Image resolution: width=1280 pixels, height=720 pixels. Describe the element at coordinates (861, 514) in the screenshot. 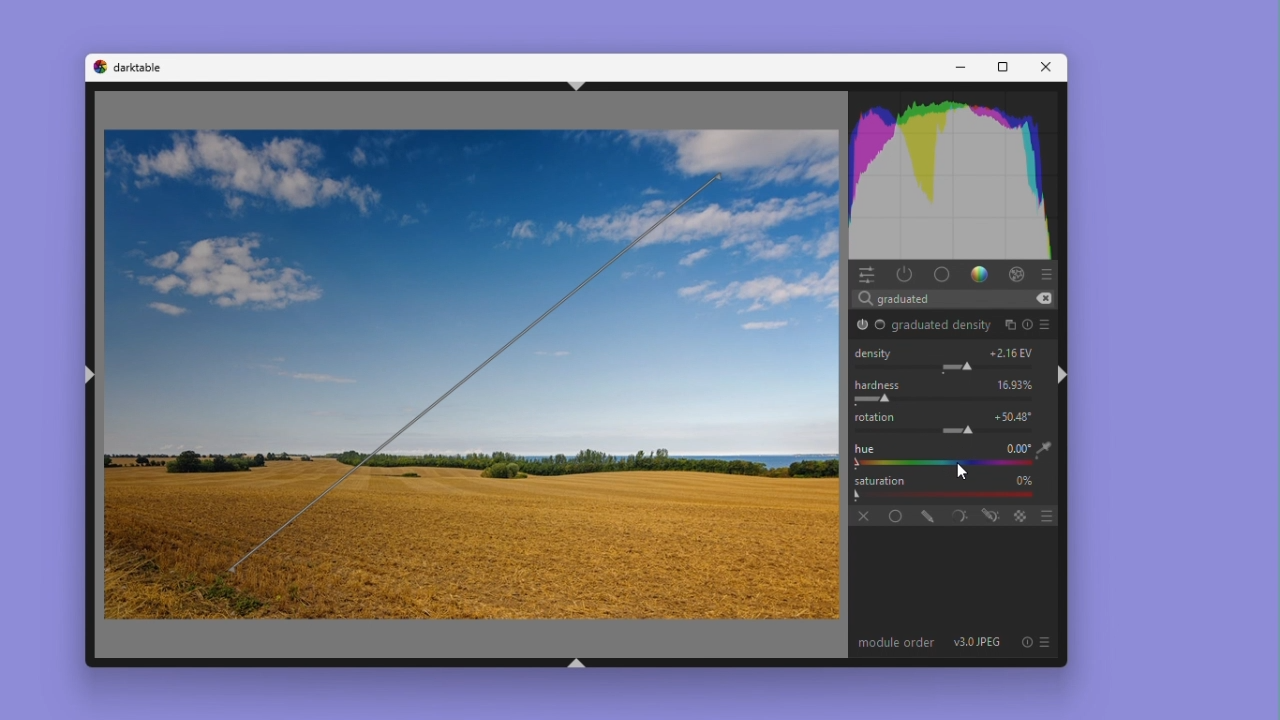

I see `off` at that location.